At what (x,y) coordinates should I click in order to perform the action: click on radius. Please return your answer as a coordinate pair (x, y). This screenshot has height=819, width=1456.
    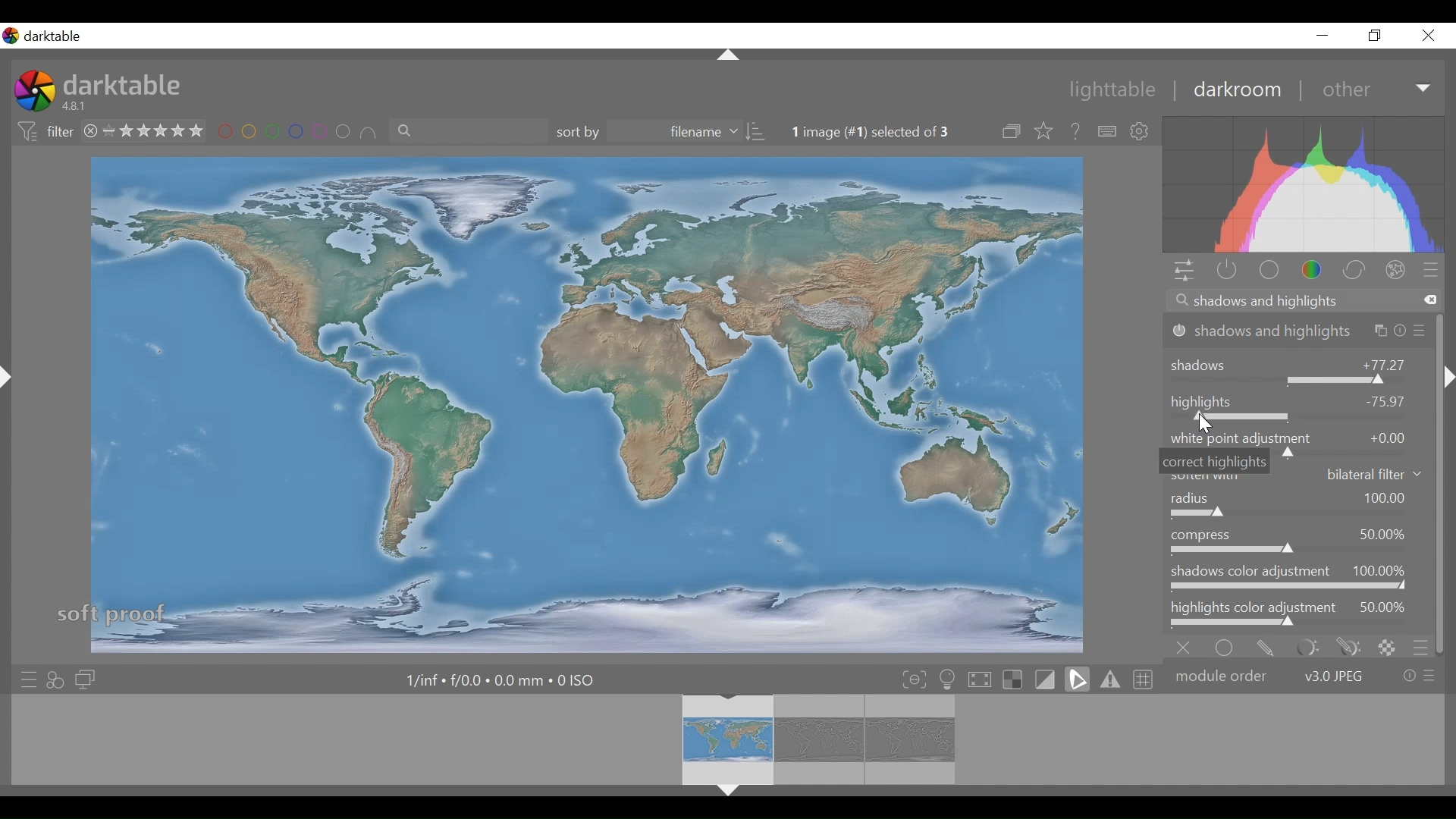
    Looking at the image, I should click on (1299, 506).